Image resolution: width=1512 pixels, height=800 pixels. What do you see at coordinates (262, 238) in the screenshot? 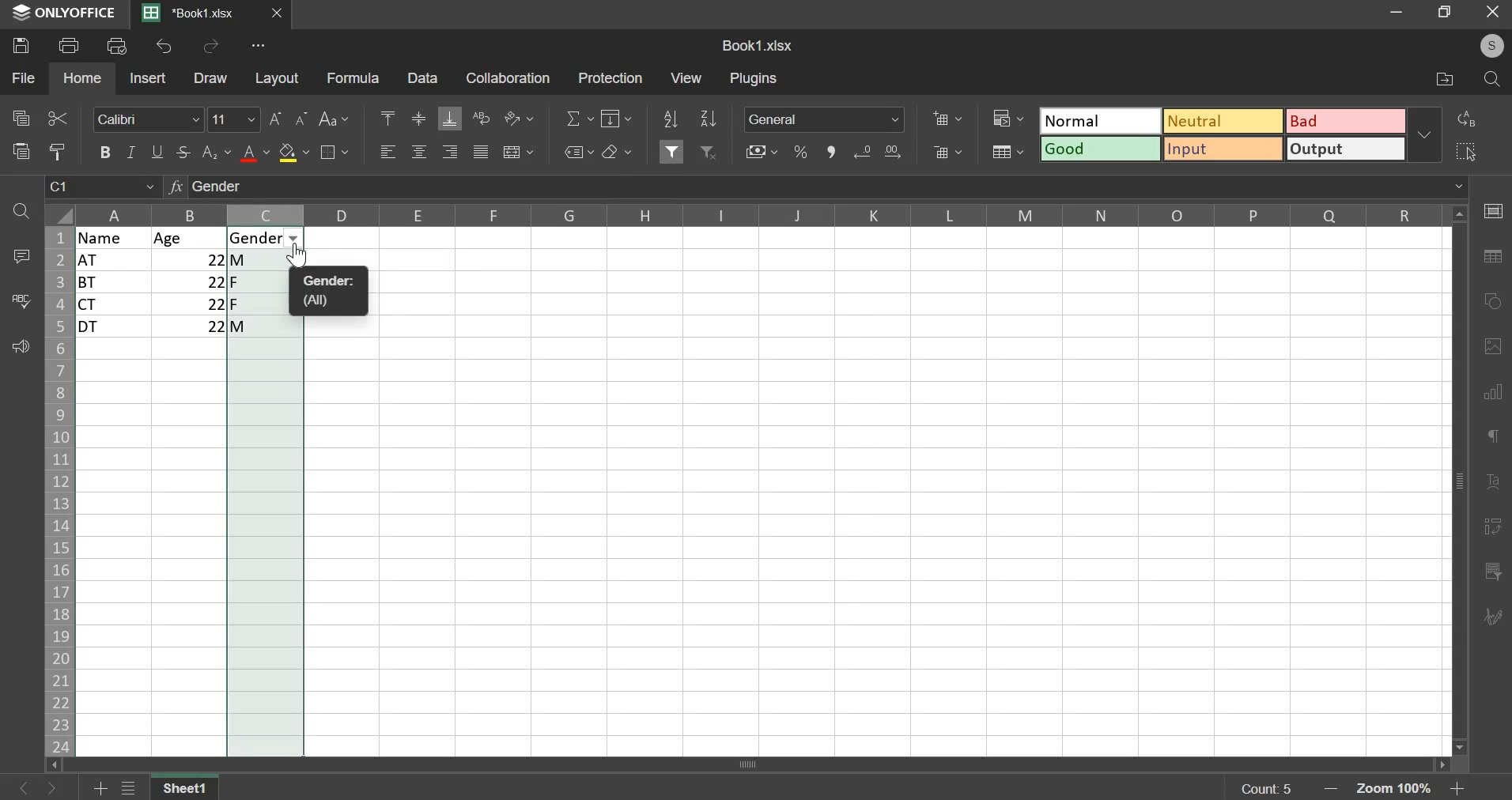
I see `gender` at bounding box center [262, 238].